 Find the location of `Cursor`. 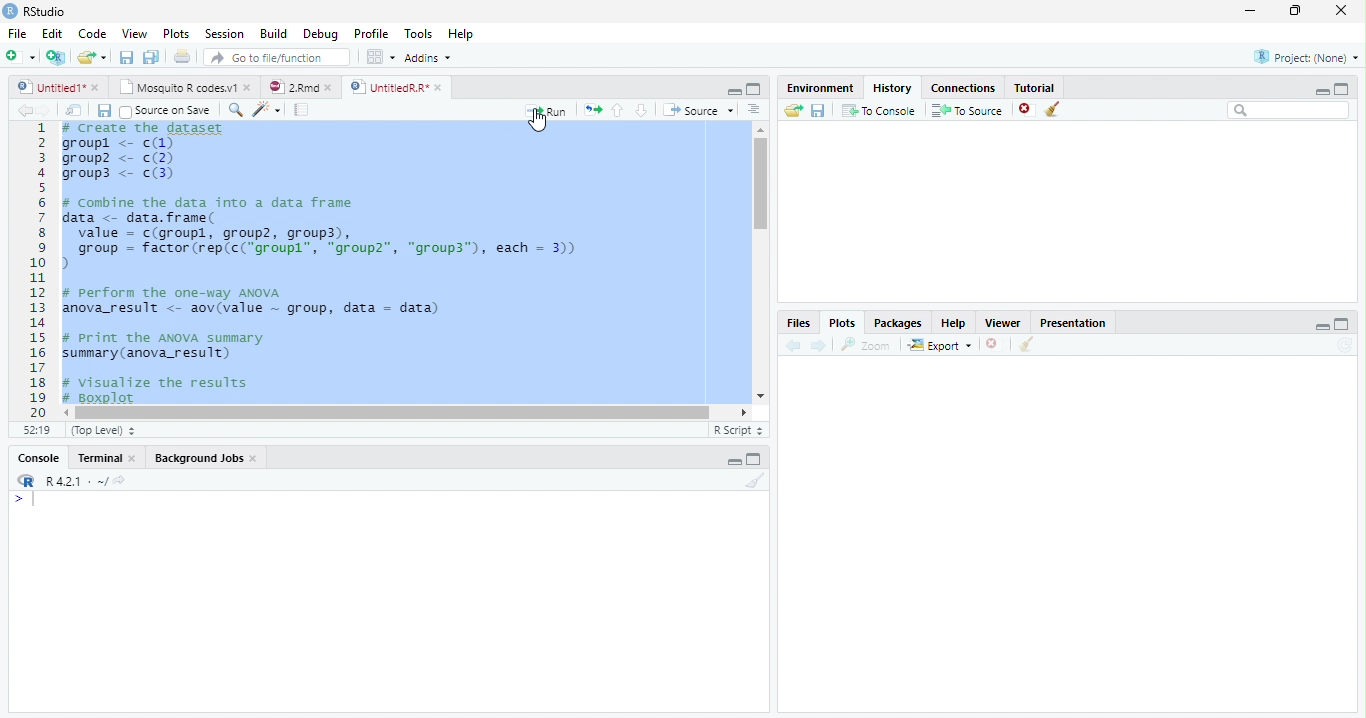

Cursor is located at coordinates (38, 501).